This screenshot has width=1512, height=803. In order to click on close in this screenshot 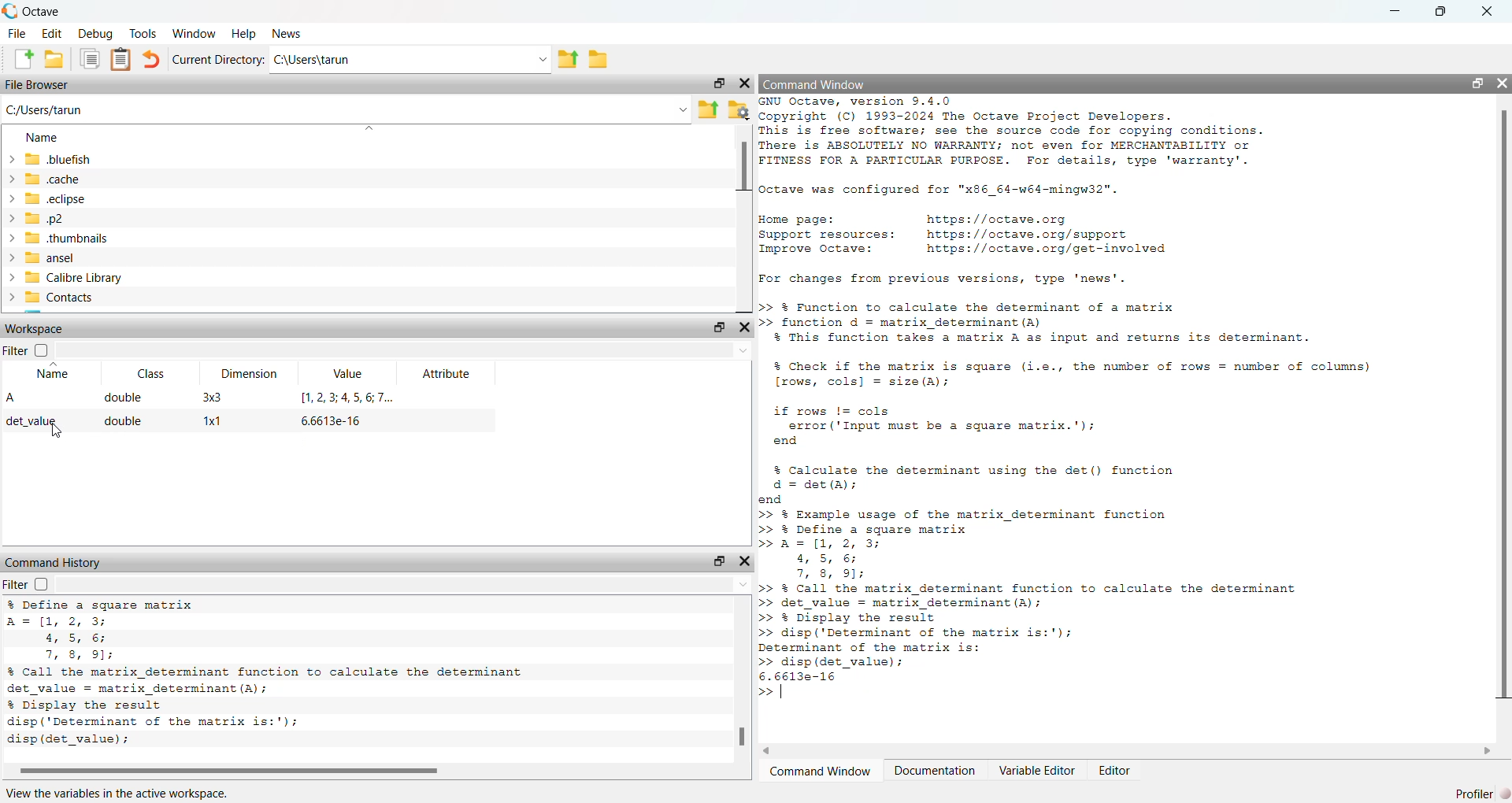, I will do `click(743, 83)`.